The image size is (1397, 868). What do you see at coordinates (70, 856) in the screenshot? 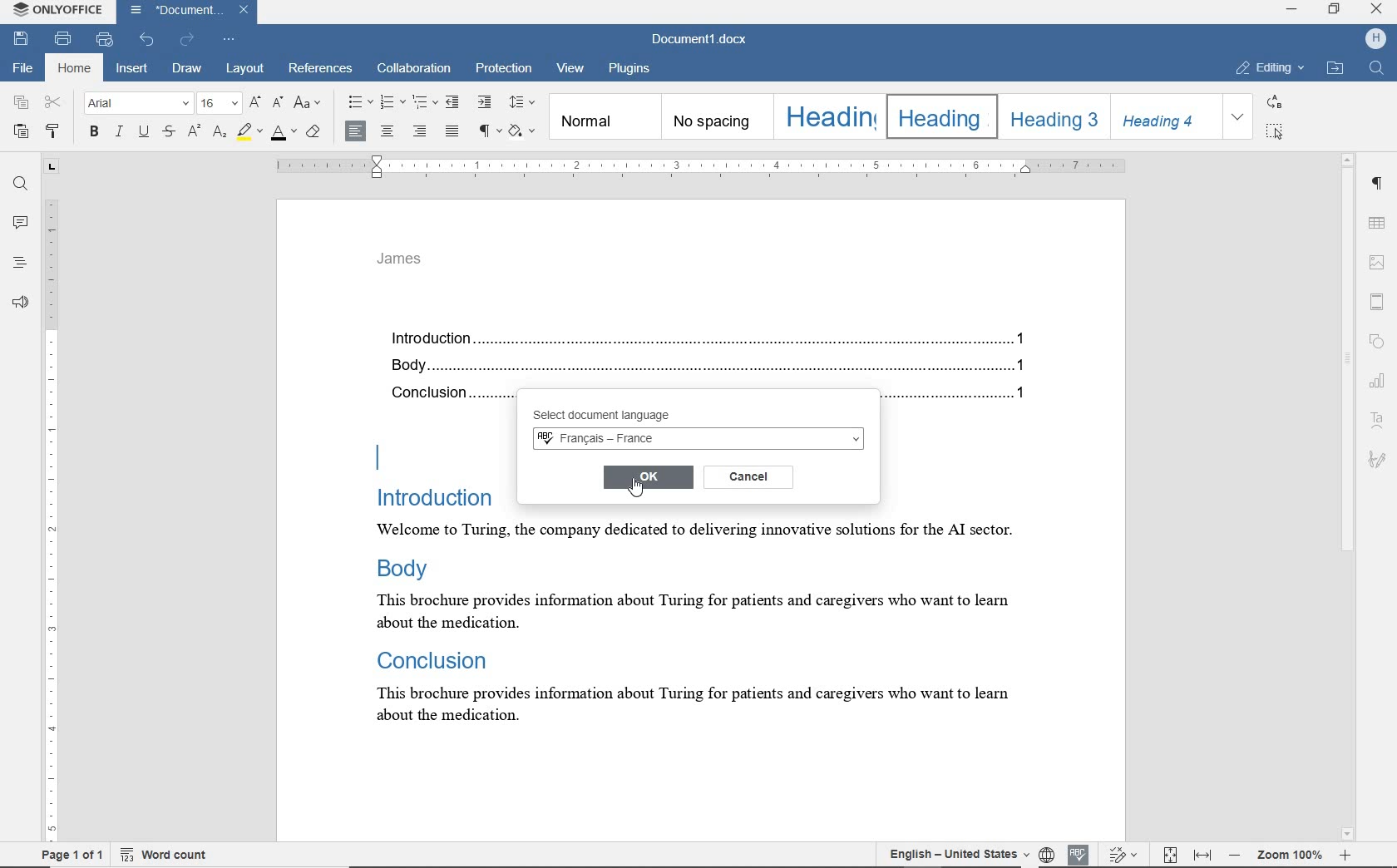
I see `page 1 of 1` at bounding box center [70, 856].